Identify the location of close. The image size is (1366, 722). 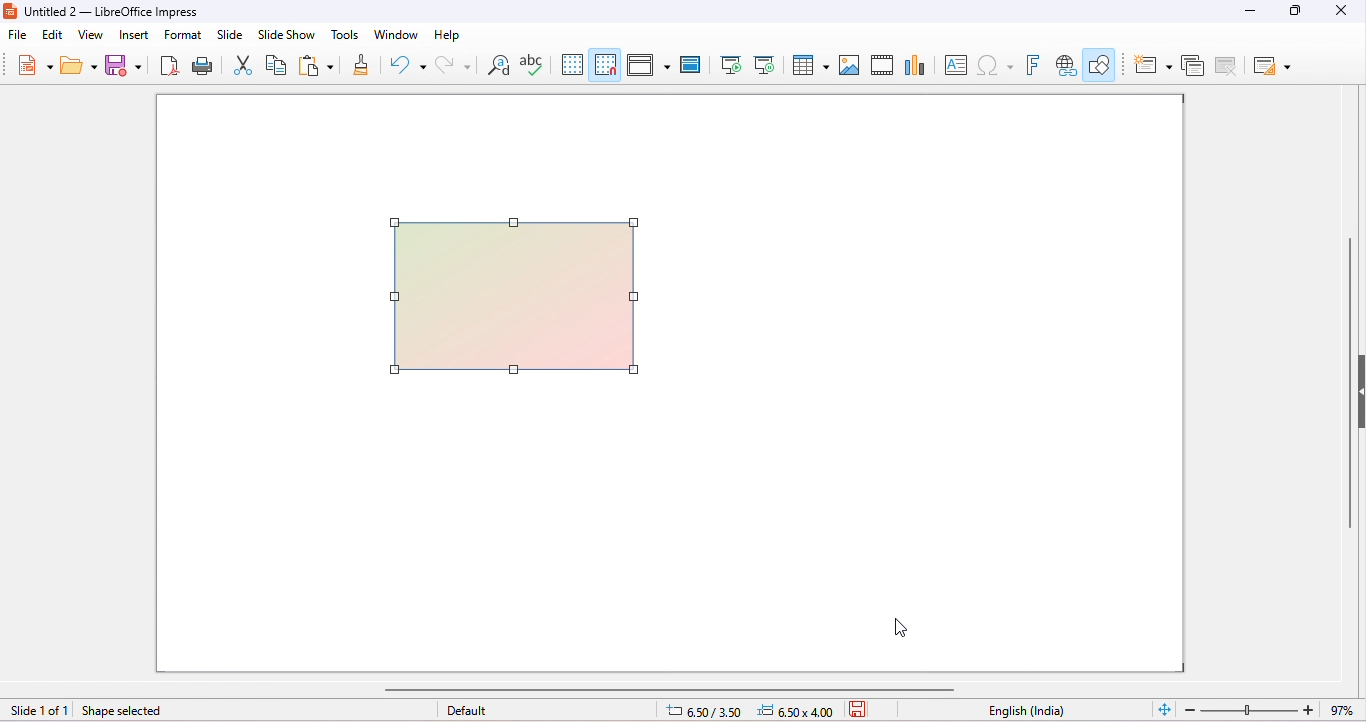
(1339, 11).